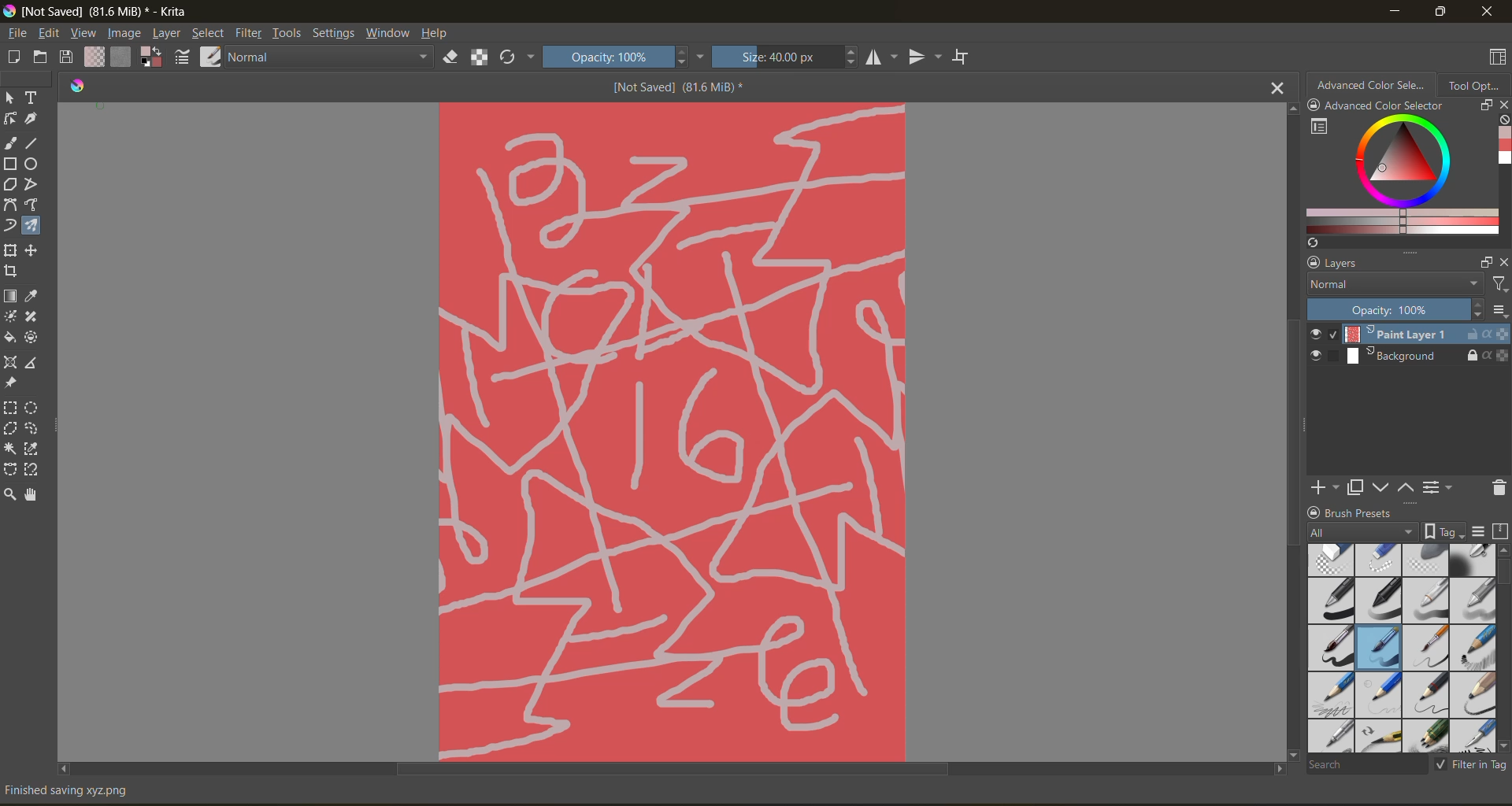 The width and height of the screenshot is (1512, 806). I want to click on tool, so click(9, 429).